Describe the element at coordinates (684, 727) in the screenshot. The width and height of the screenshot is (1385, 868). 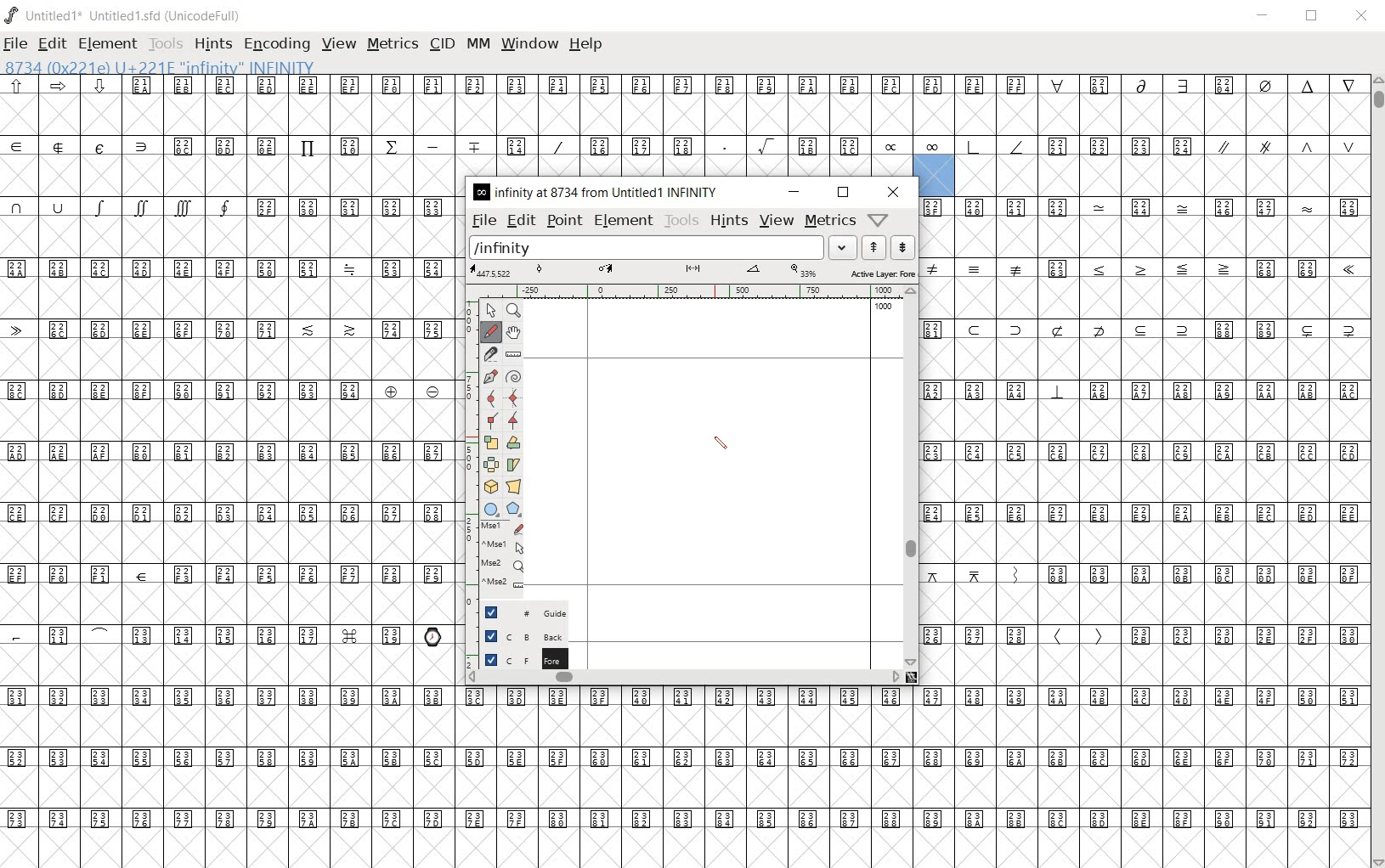
I see `empty glyph slots` at that location.